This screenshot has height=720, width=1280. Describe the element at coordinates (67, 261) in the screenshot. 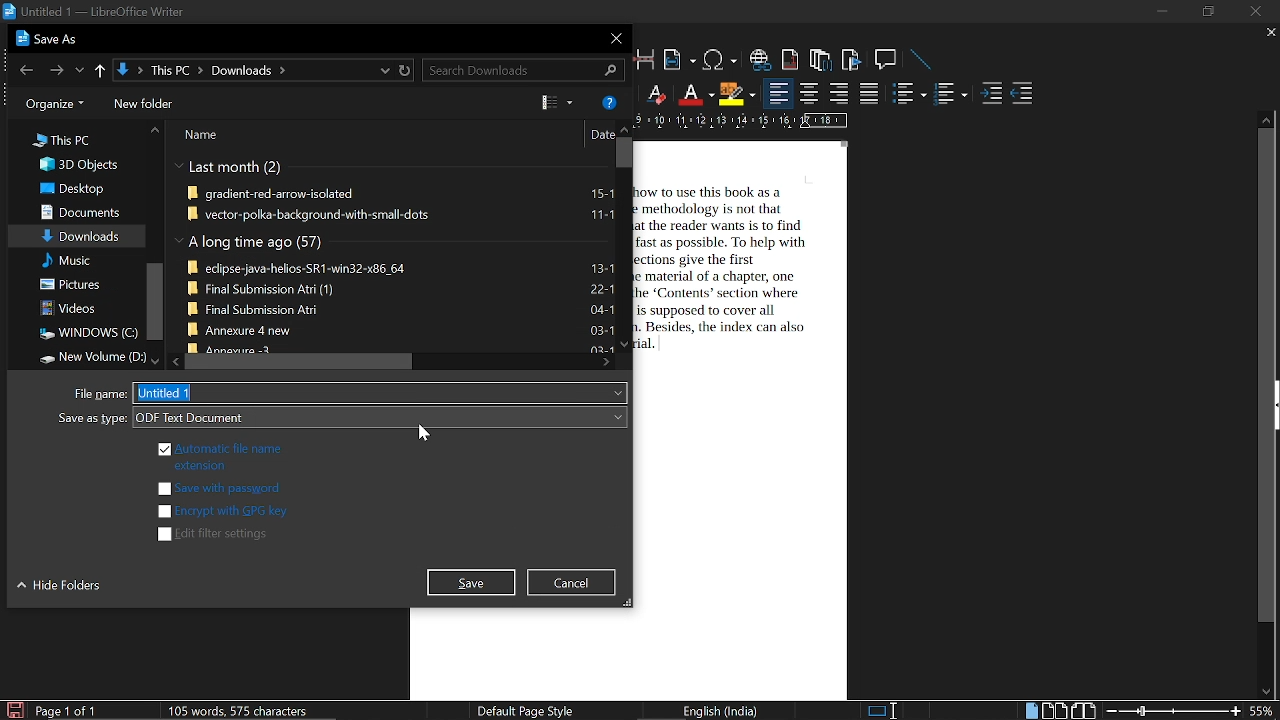

I see `Music` at that location.